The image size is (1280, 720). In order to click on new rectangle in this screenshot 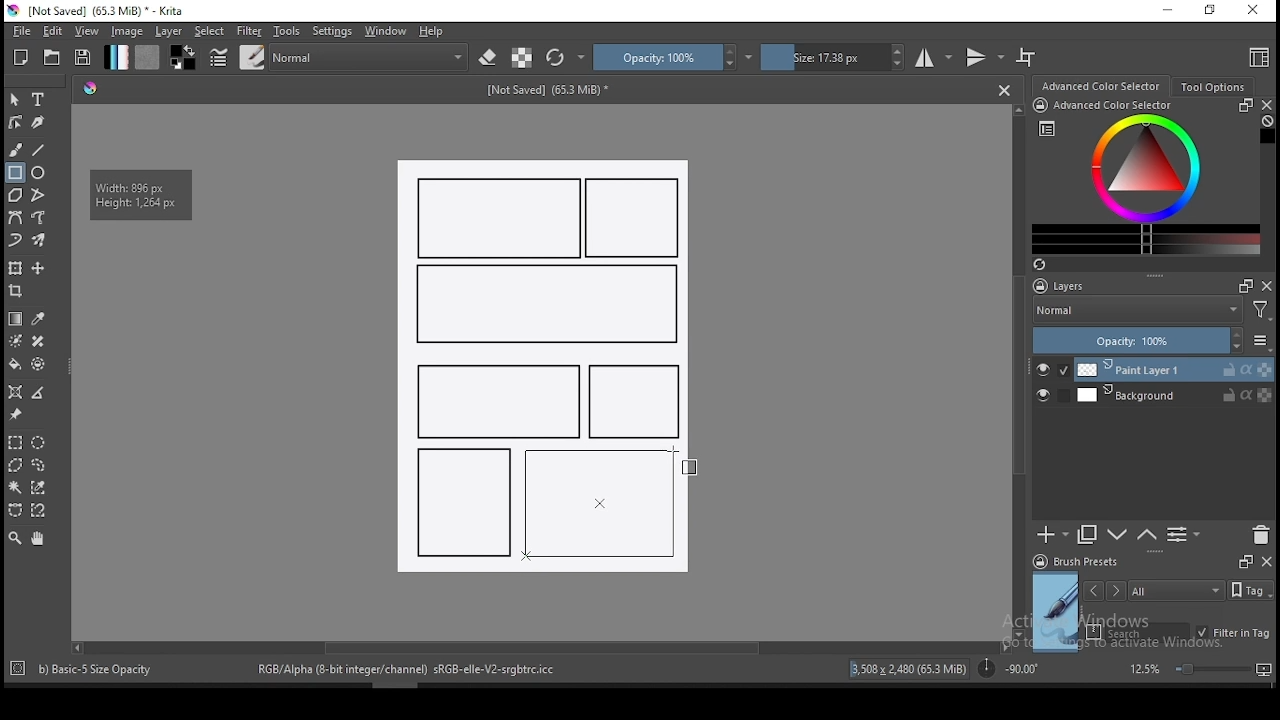, I will do `click(634, 402)`.